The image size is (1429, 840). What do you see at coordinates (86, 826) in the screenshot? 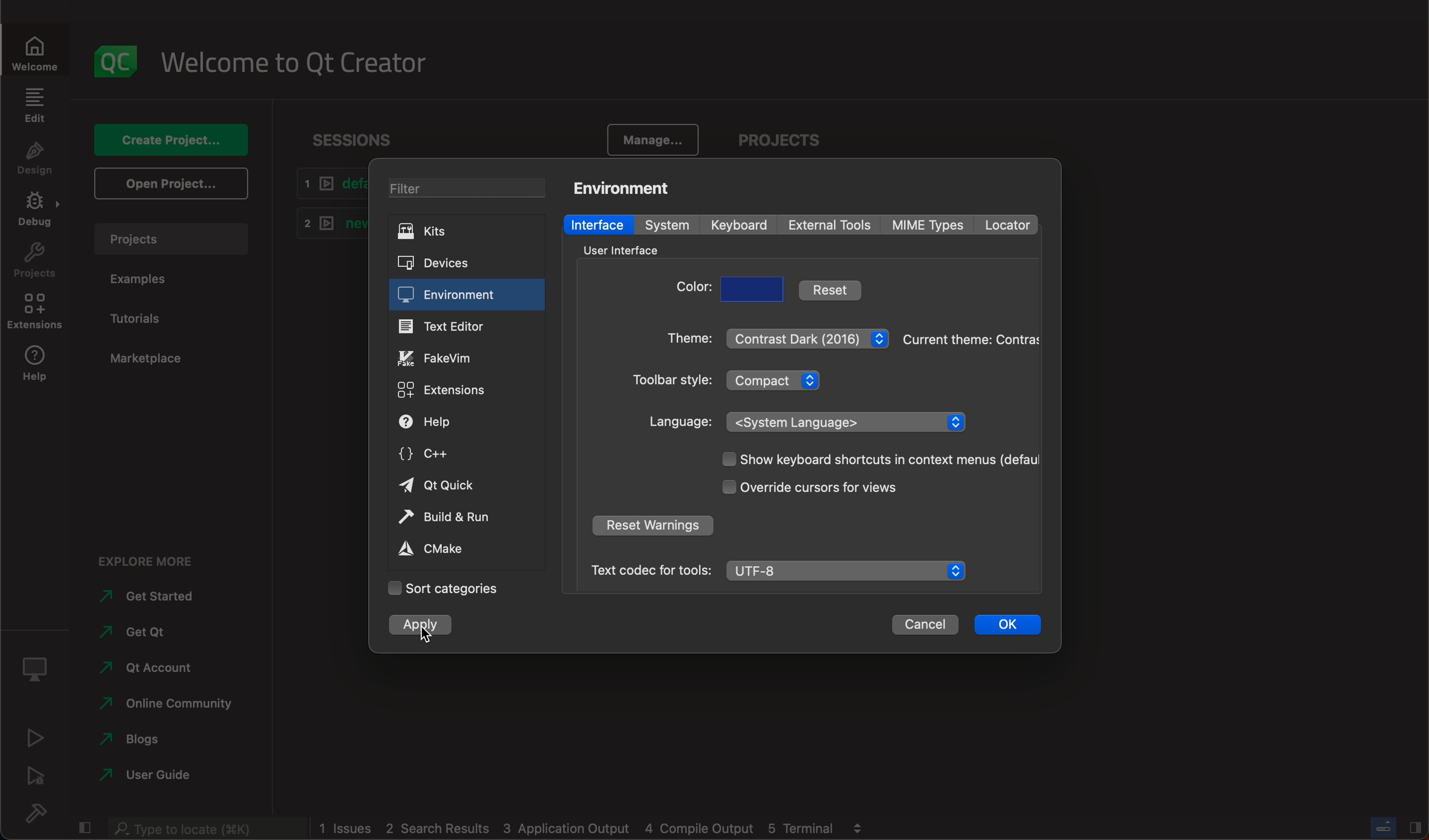
I see `close slidebar` at bounding box center [86, 826].